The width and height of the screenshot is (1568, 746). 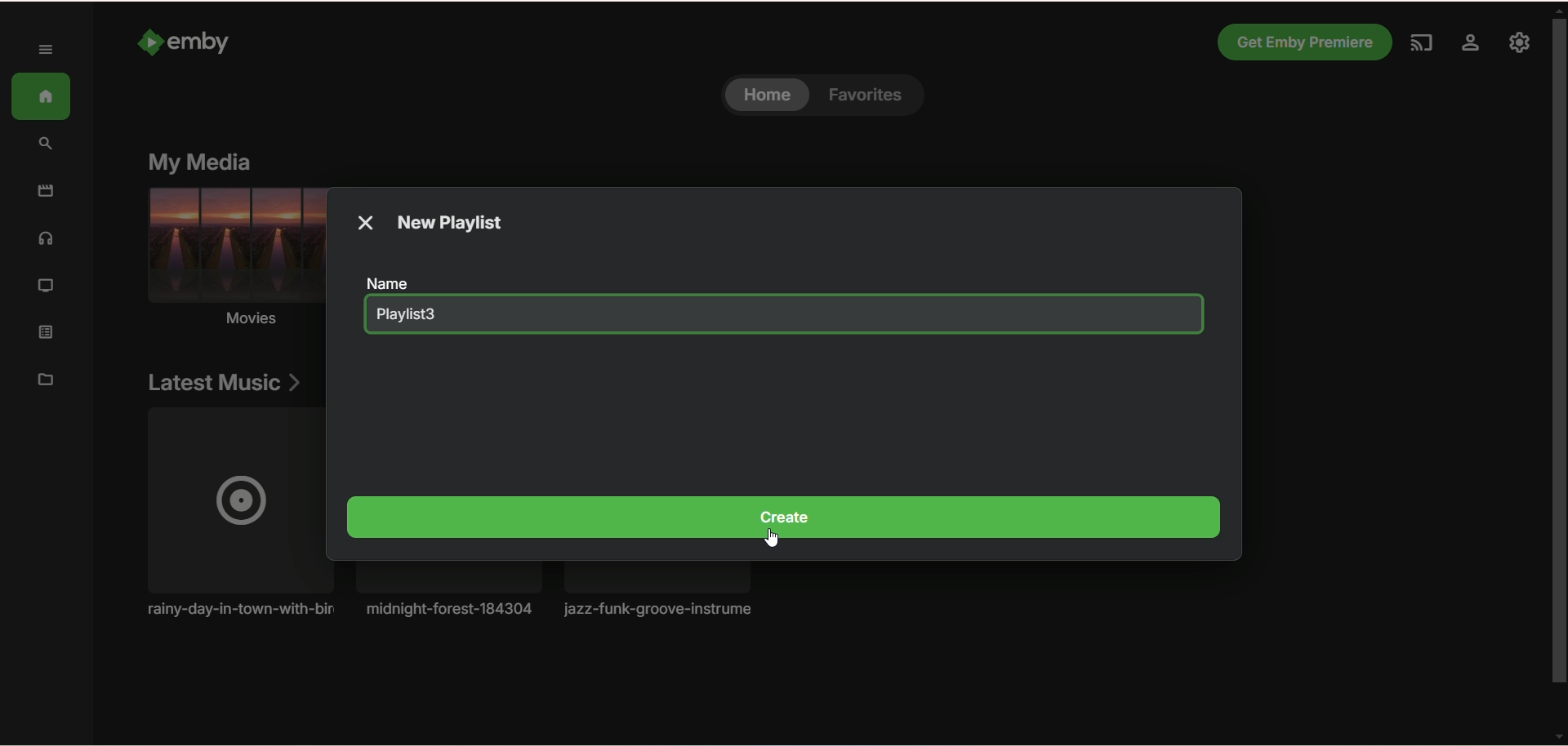 What do you see at coordinates (232, 513) in the screenshot?
I see `Music album` at bounding box center [232, 513].